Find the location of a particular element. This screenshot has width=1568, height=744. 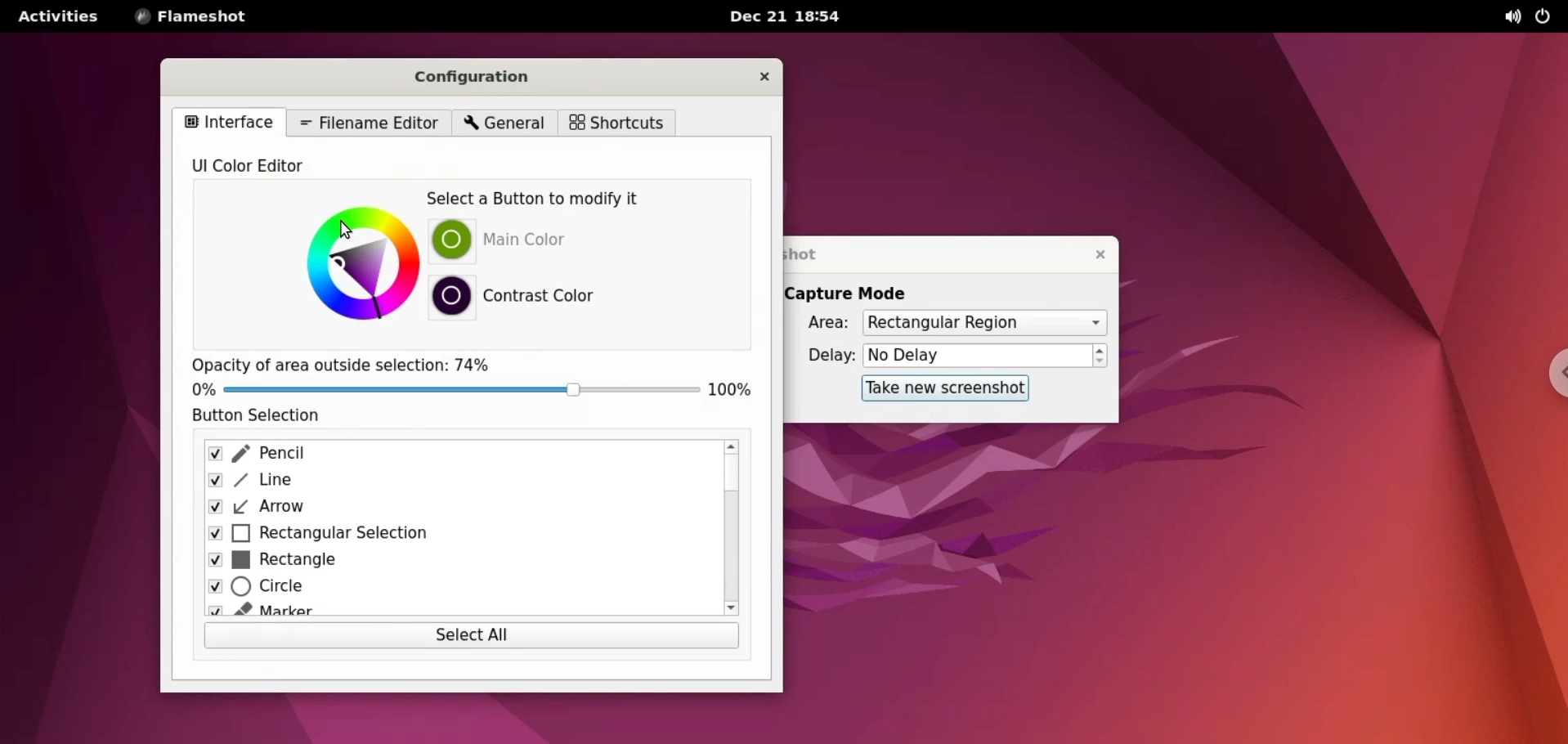

increment or decrement delay  is located at coordinates (1102, 356).